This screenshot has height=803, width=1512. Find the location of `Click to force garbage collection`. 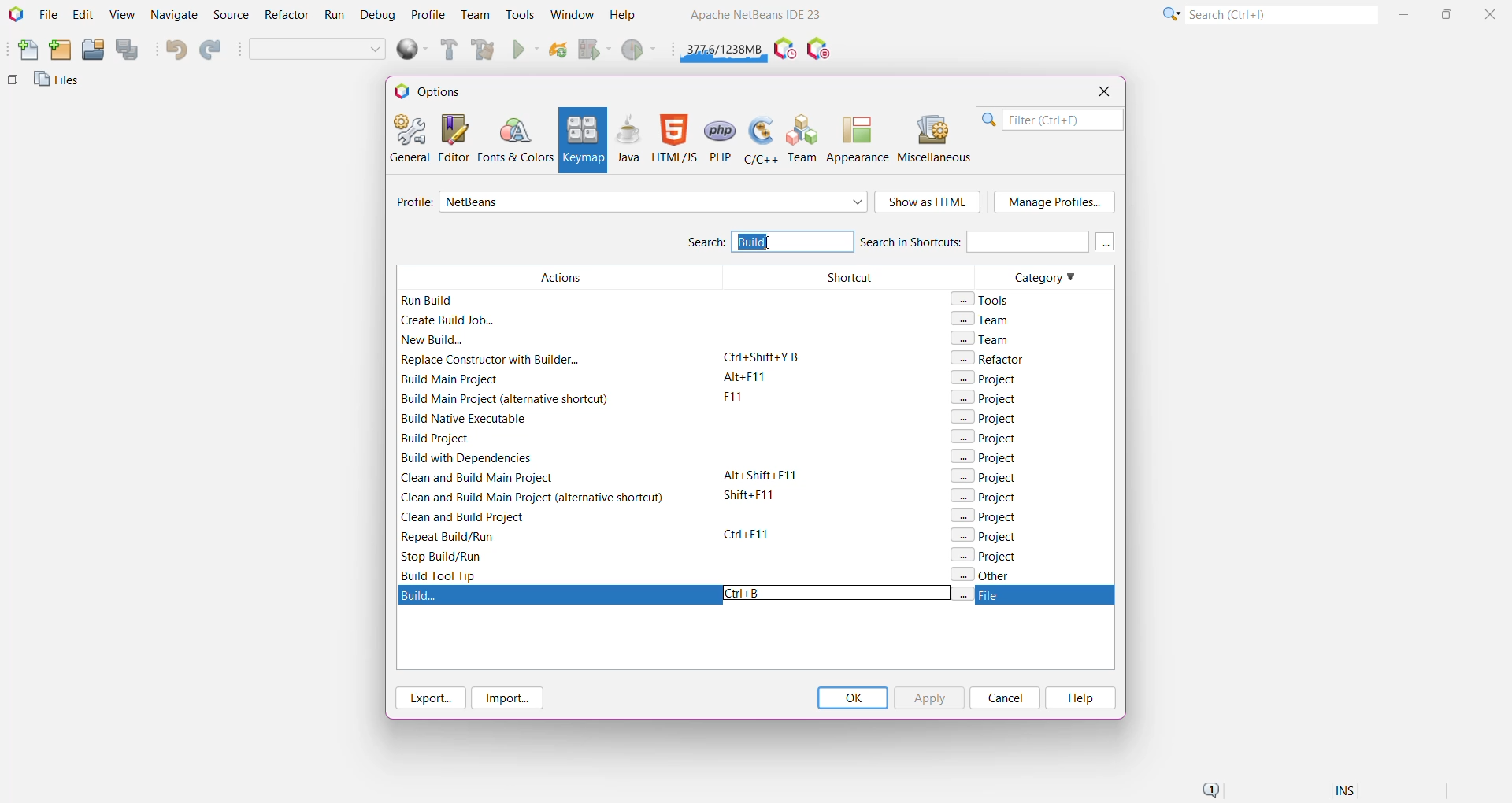

Click to force garbage collection is located at coordinates (724, 47).